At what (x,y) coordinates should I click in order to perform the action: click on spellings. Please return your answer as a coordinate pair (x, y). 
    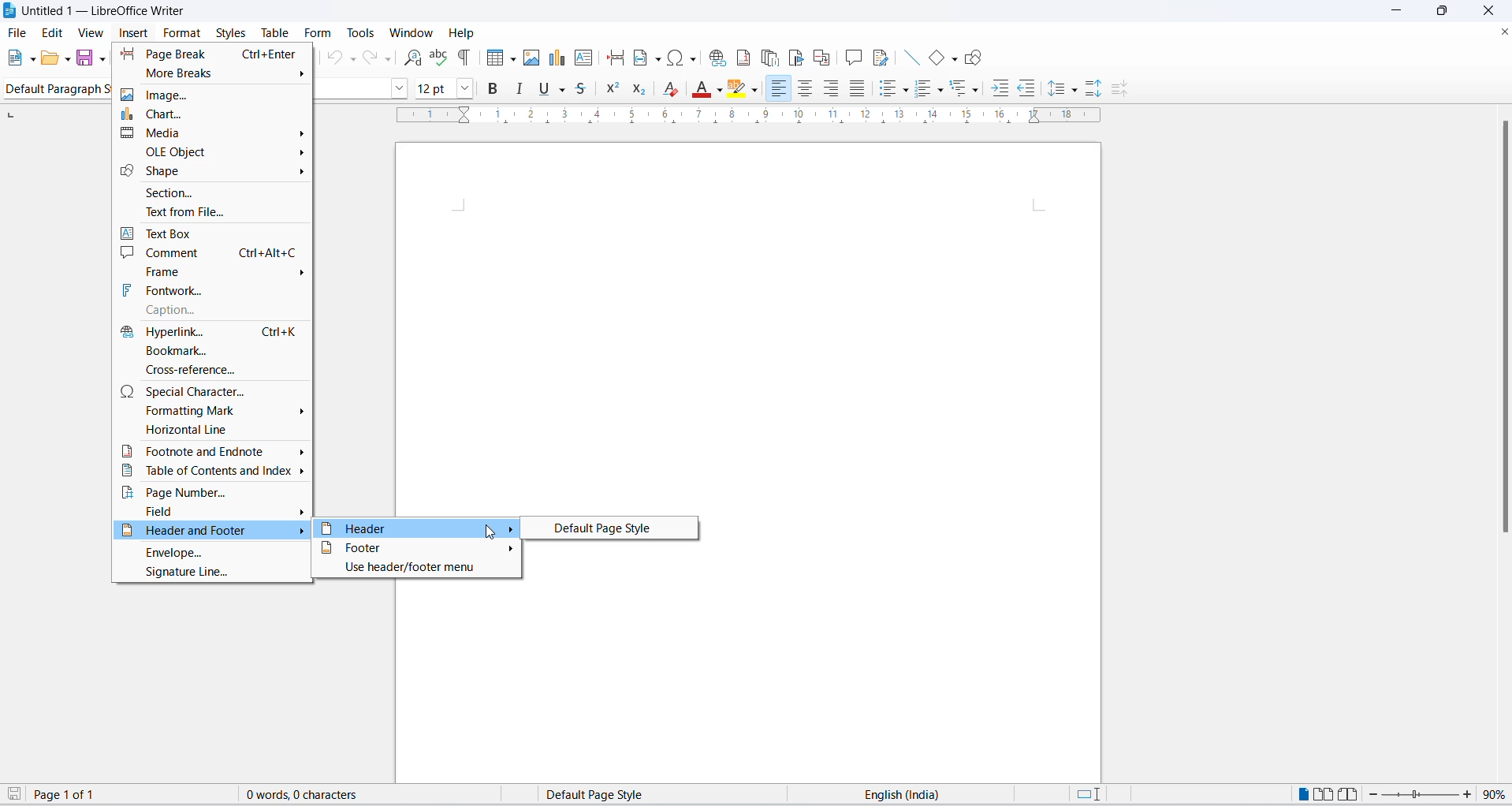
    Looking at the image, I should click on (440, 58).